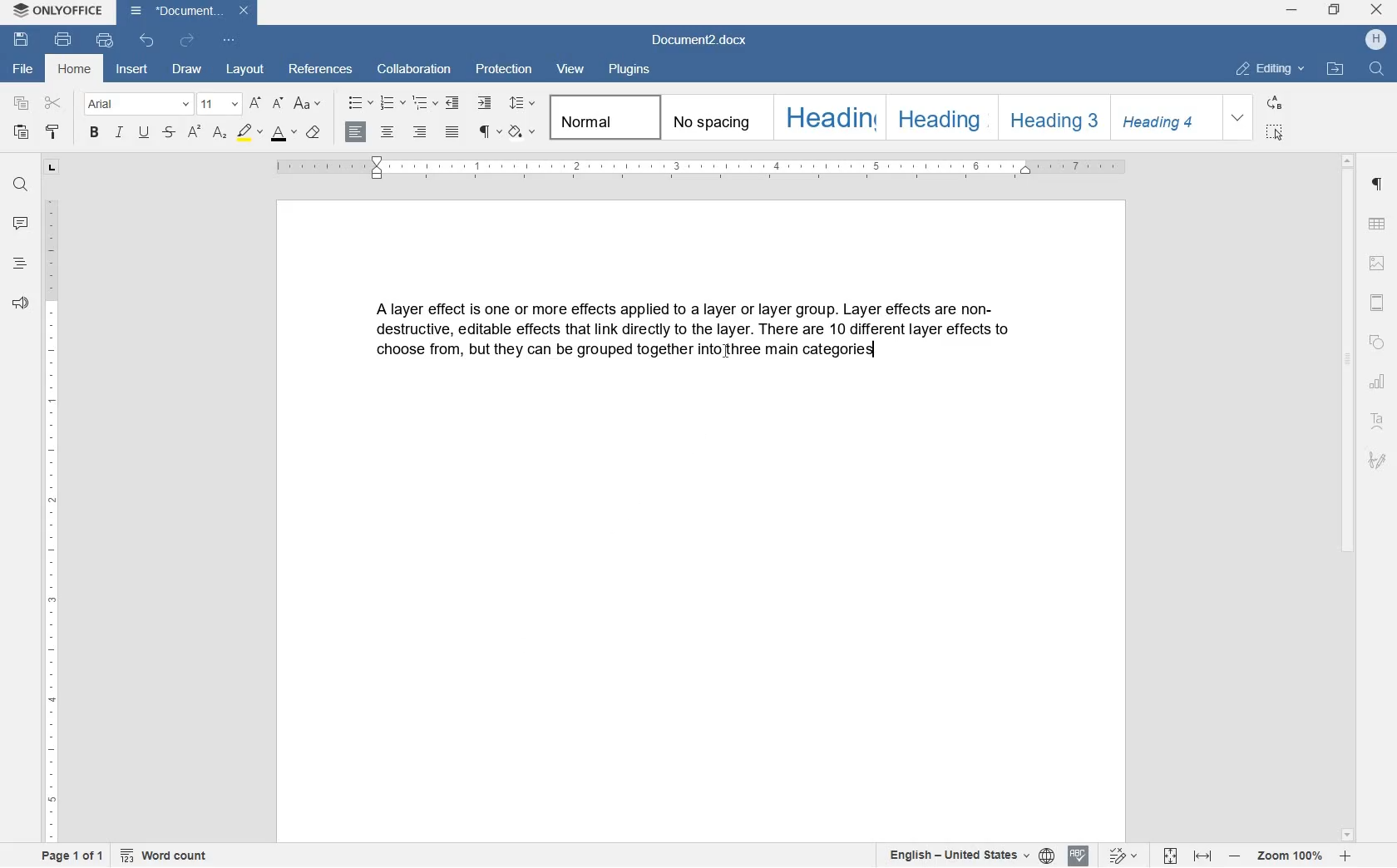 The height and width of the screenshot is (868, 1397). I want to click on table , so click(1380, 224).